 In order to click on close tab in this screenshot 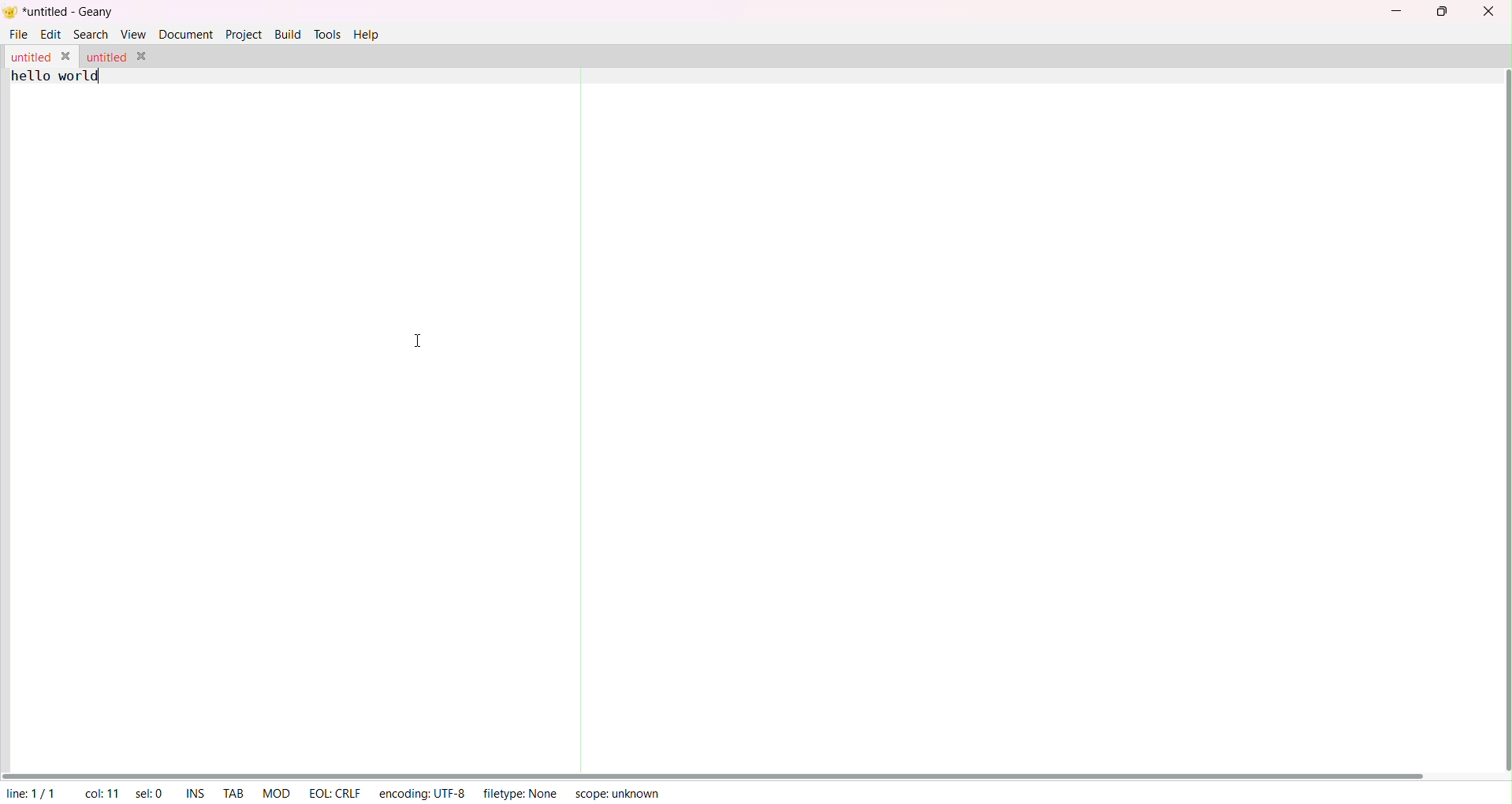, I will do `click(69, 57)`.